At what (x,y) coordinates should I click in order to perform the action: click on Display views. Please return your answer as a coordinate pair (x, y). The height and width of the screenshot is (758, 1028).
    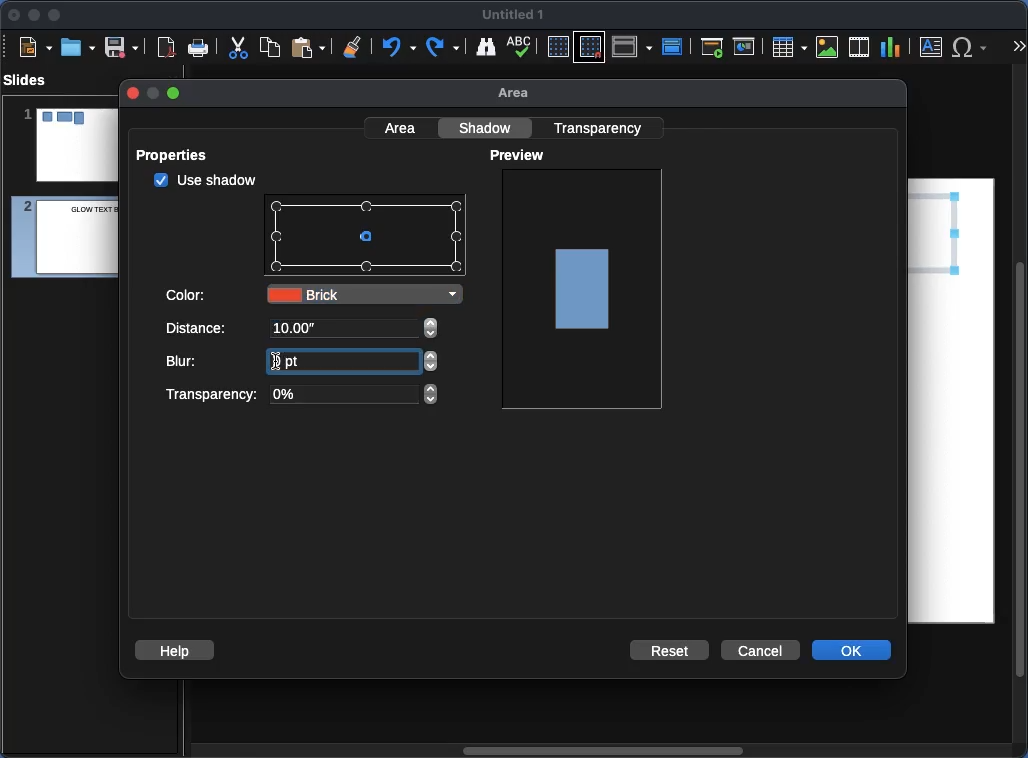
    Looking at the image, I should click on (635, 45).